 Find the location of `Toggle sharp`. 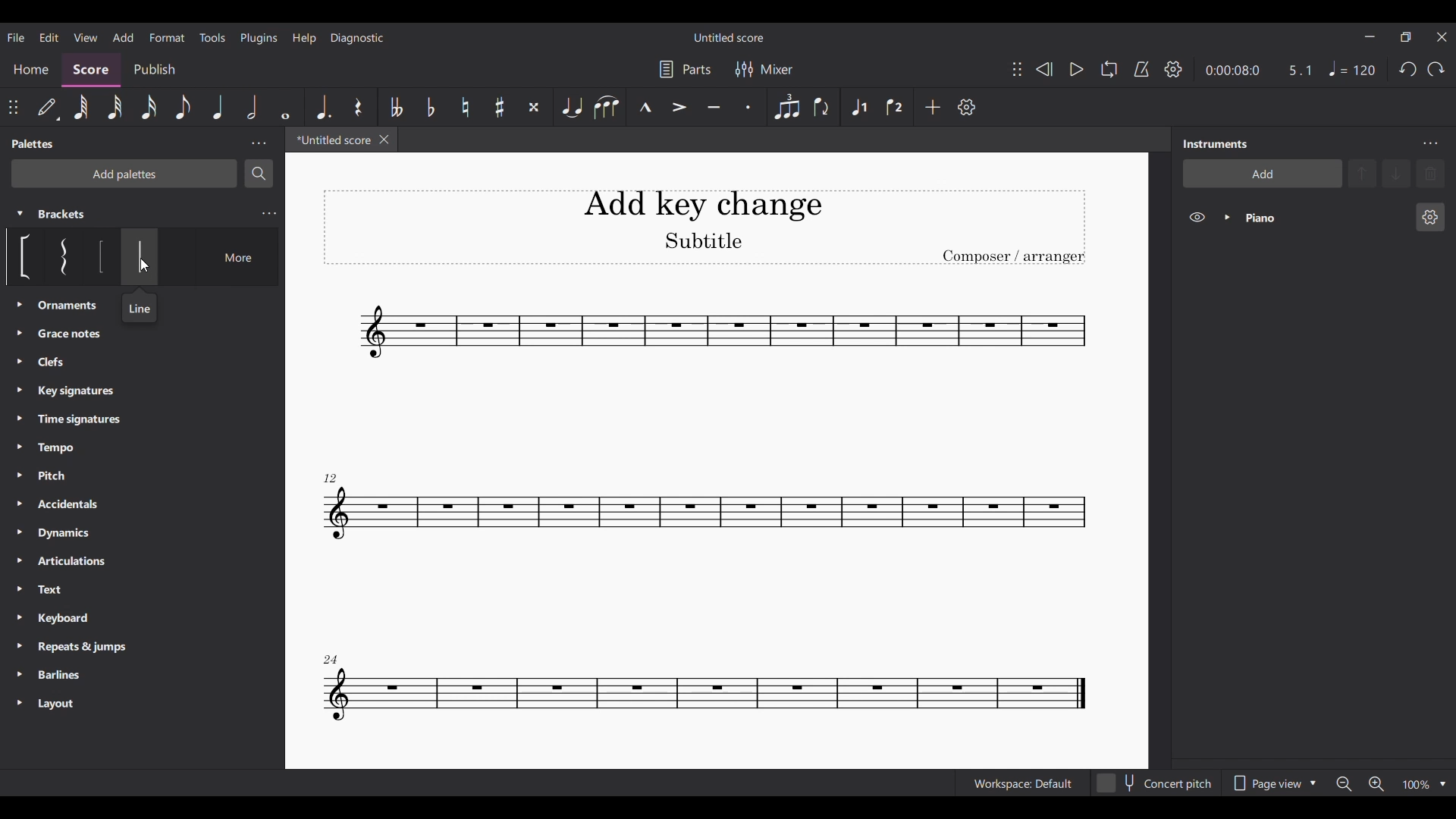

Toggle sharp is located at coordinates (500, 108).